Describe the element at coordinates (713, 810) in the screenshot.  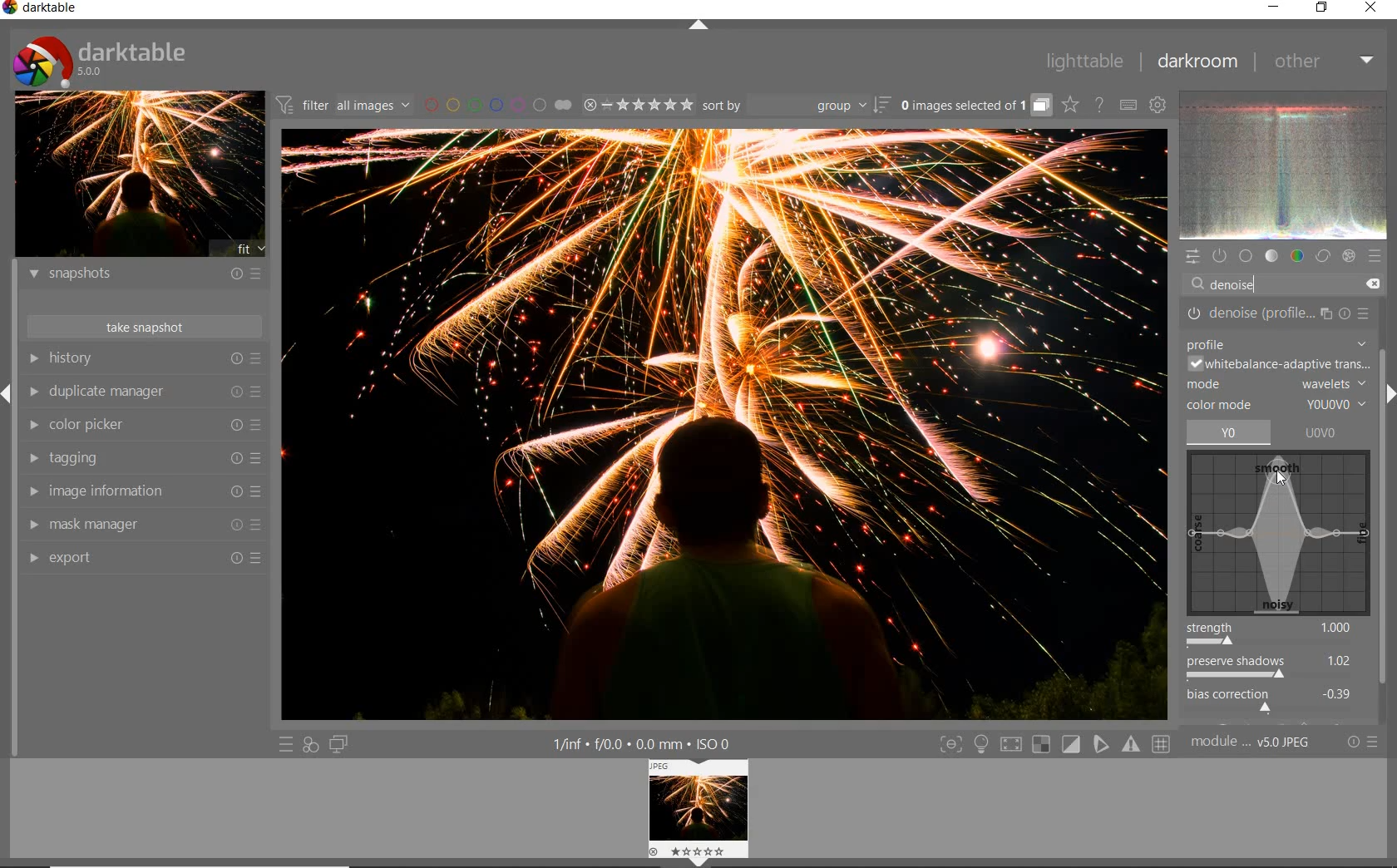
I see `Preview image` at that location.